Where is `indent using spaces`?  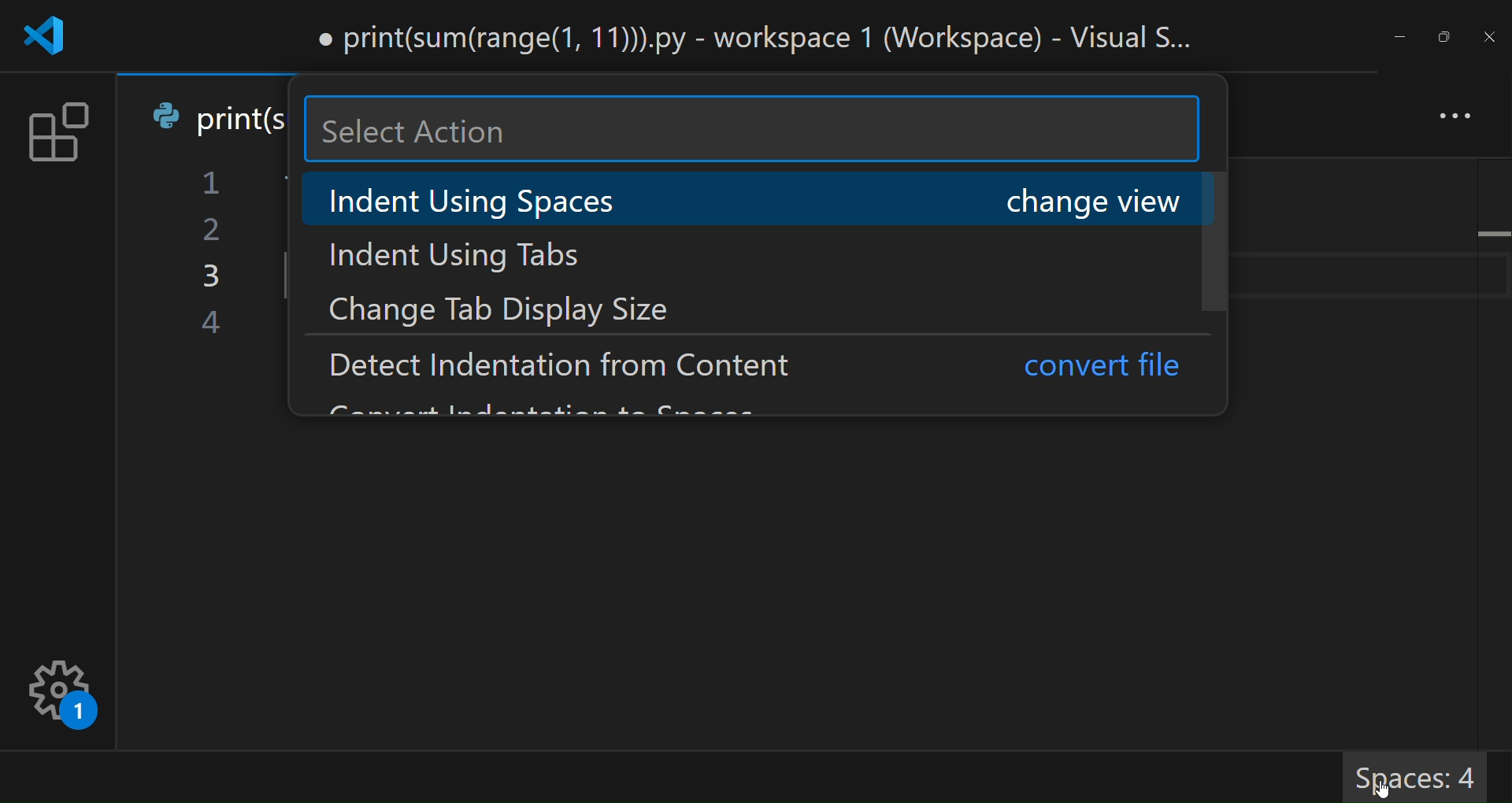
indent using spaces is located at coordinates (486, 198).